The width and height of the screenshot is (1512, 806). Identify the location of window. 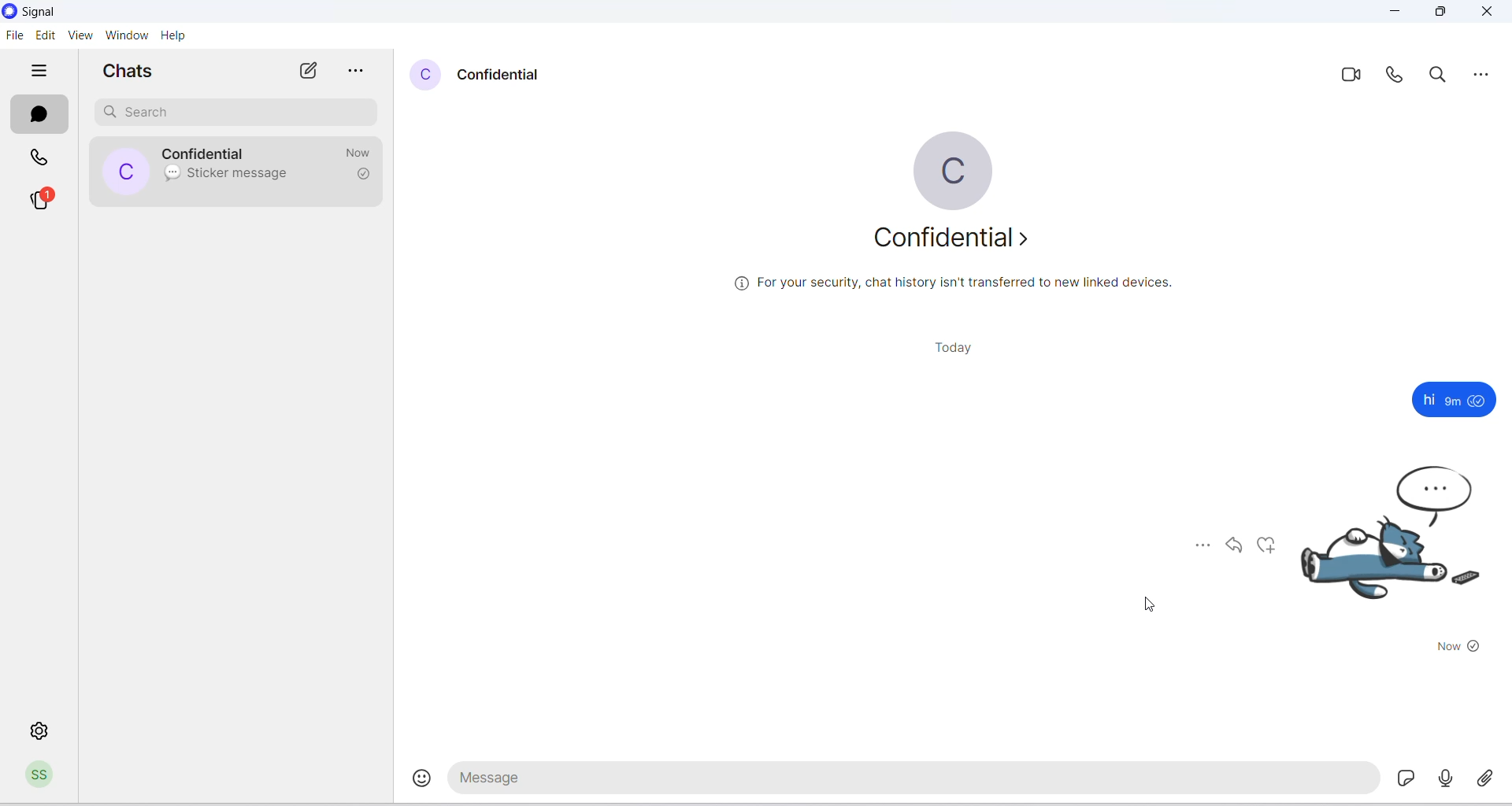
(126, 35).